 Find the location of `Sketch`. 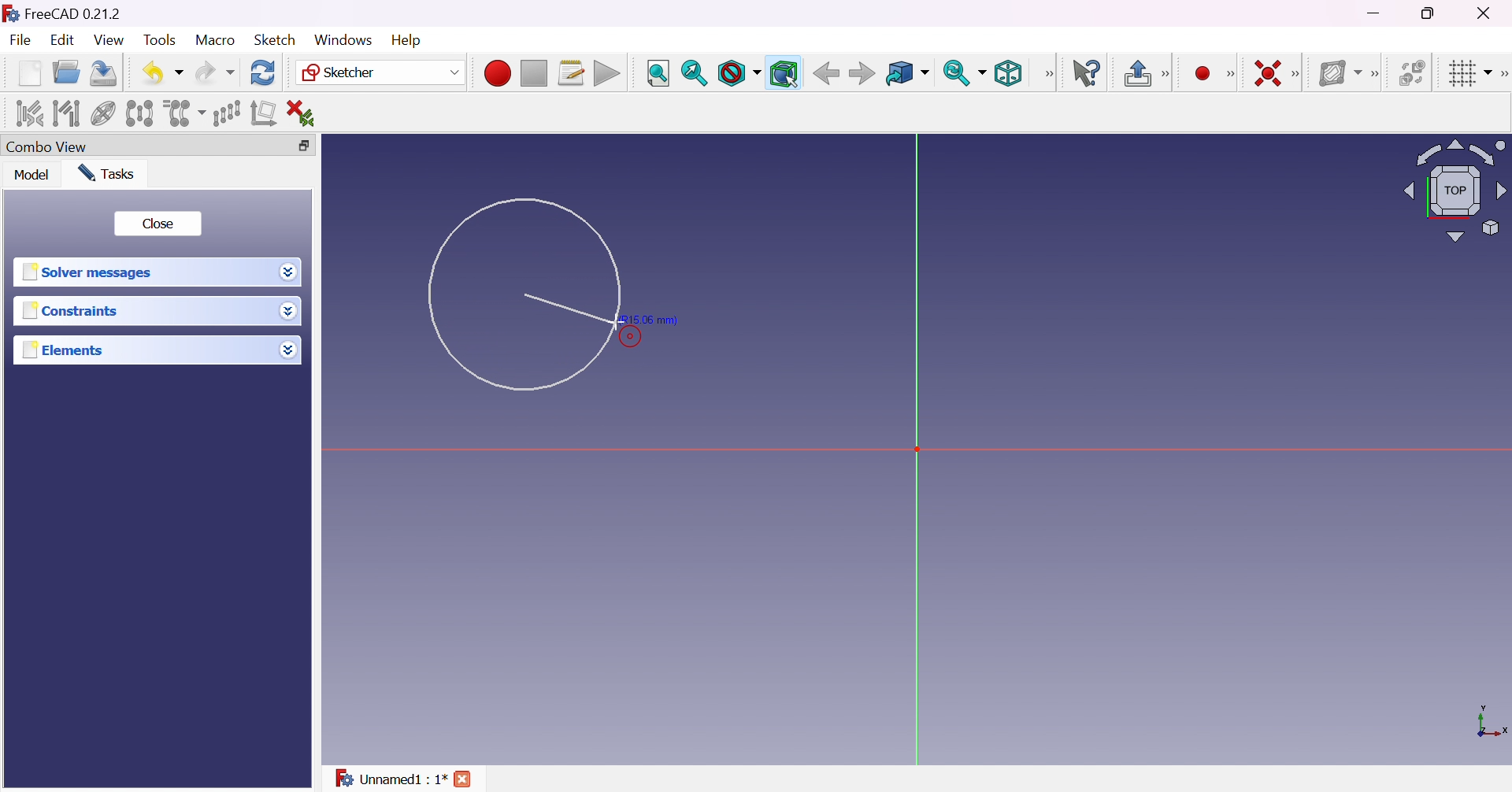

Sketch is located at coordinates (274, 39).